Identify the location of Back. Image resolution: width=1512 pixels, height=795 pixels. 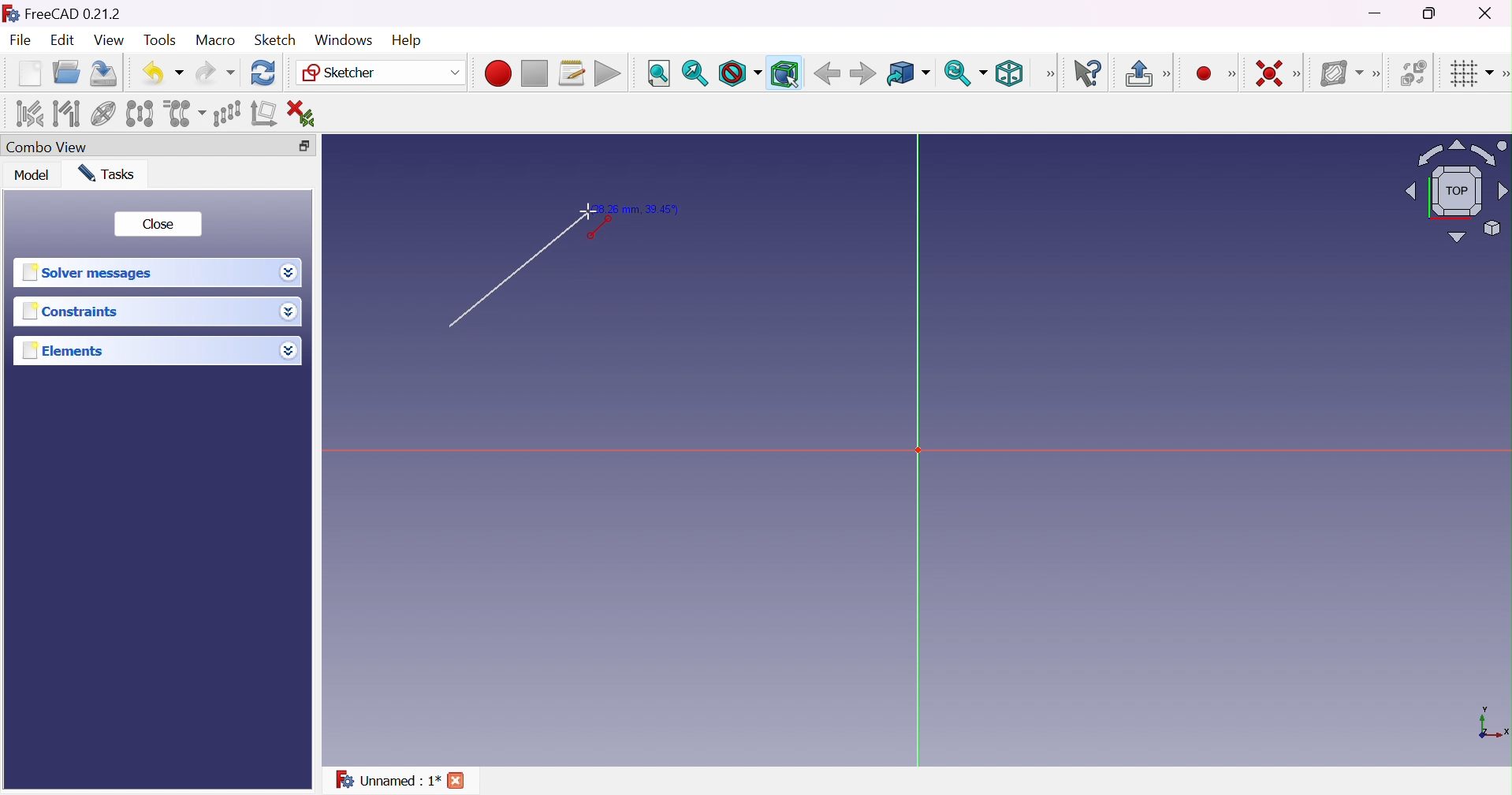
(827, 74).